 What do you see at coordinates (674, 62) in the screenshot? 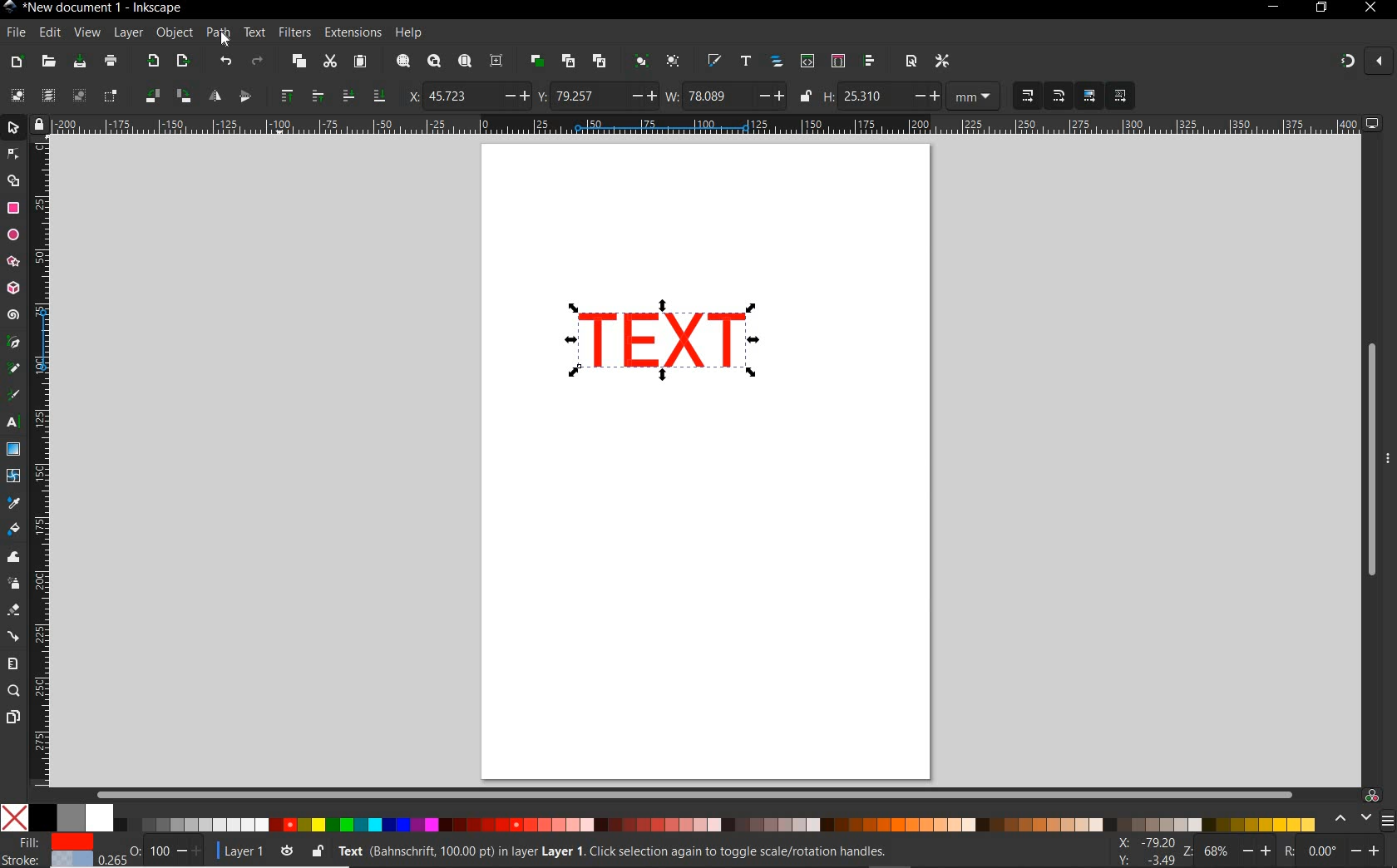
I see `UNGROUP` at bounding box center [674, 62].